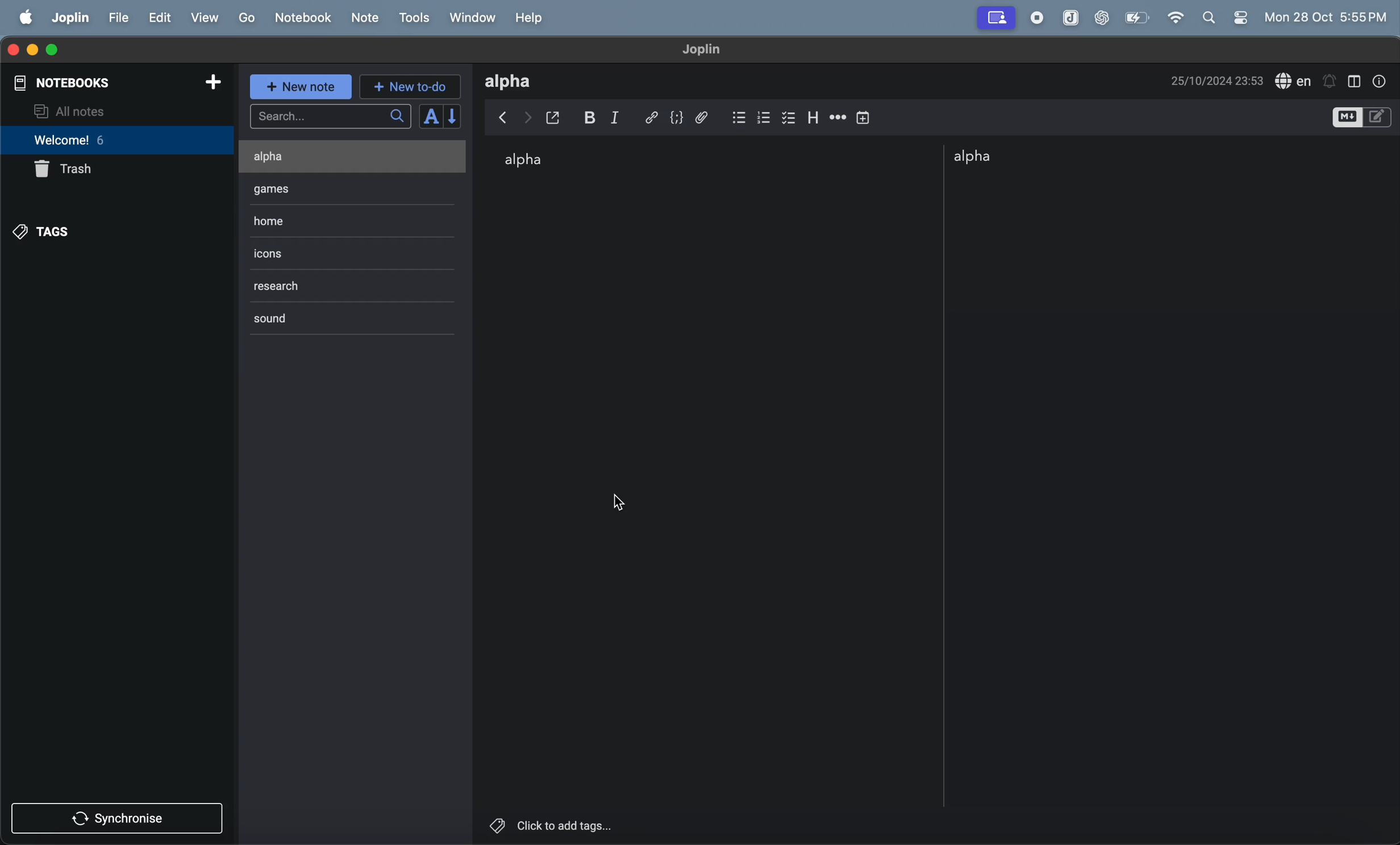 Image resolution: width=1400 pixels, height=845 pixels. Describe the element at coordinates (534, 162) in the screenshot. I see `alpha note` at that location.